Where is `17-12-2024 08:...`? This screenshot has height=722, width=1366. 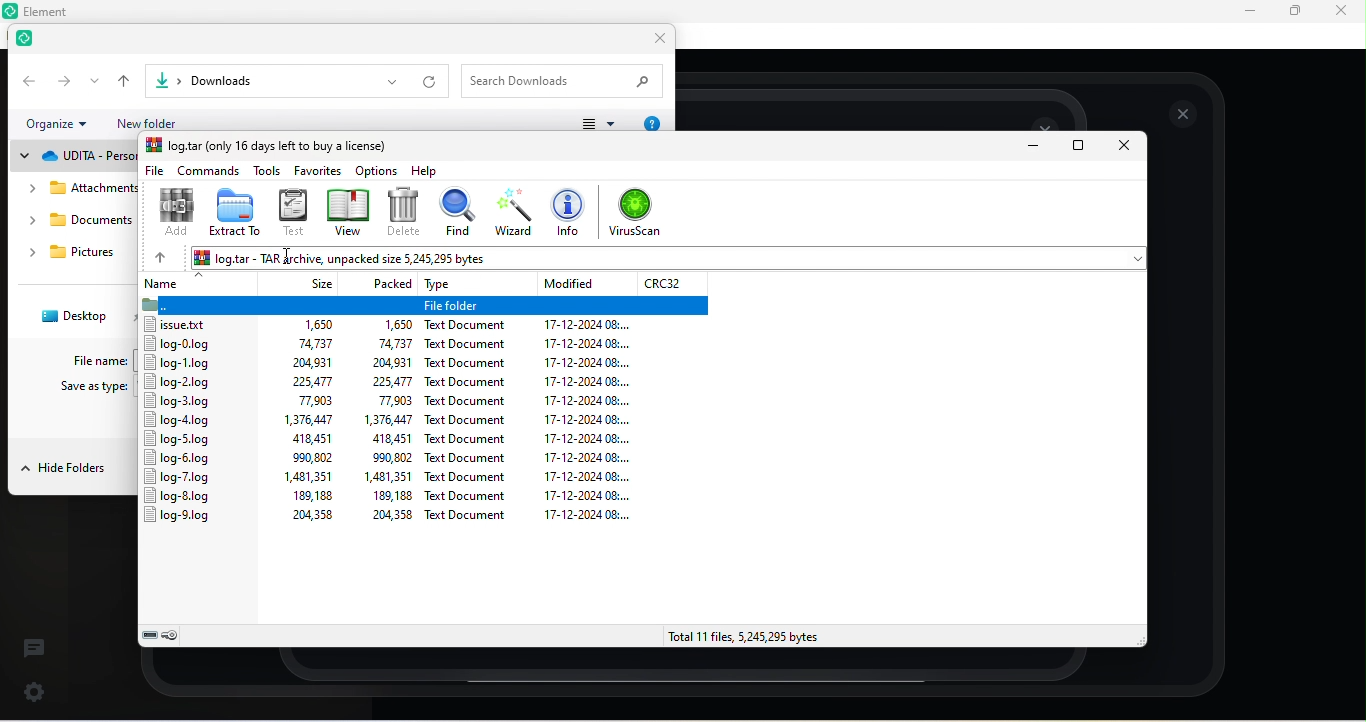
17-12-2024 08:... is located at coordinates (589, 420).